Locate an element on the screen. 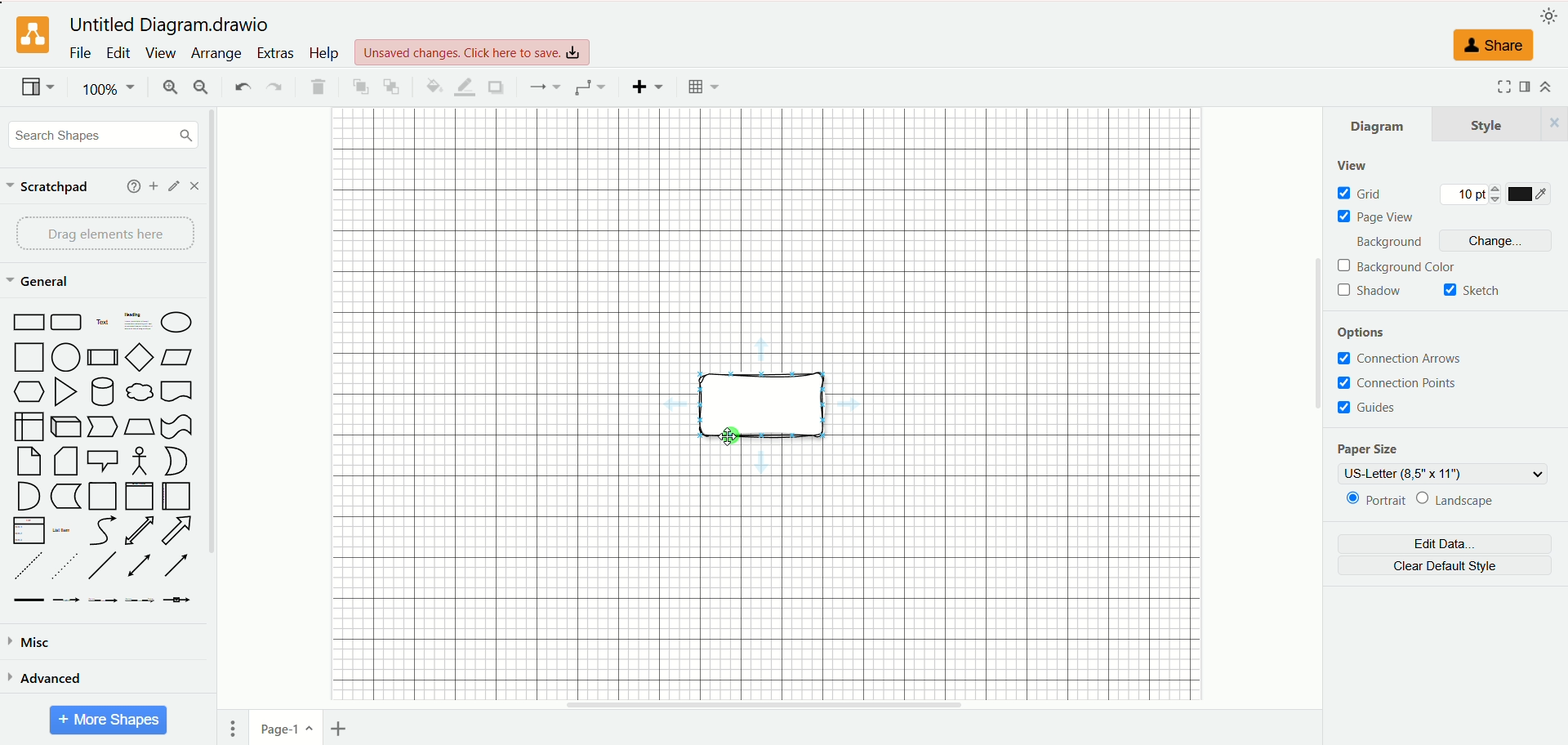  background is located at coordinates (1386, 243).